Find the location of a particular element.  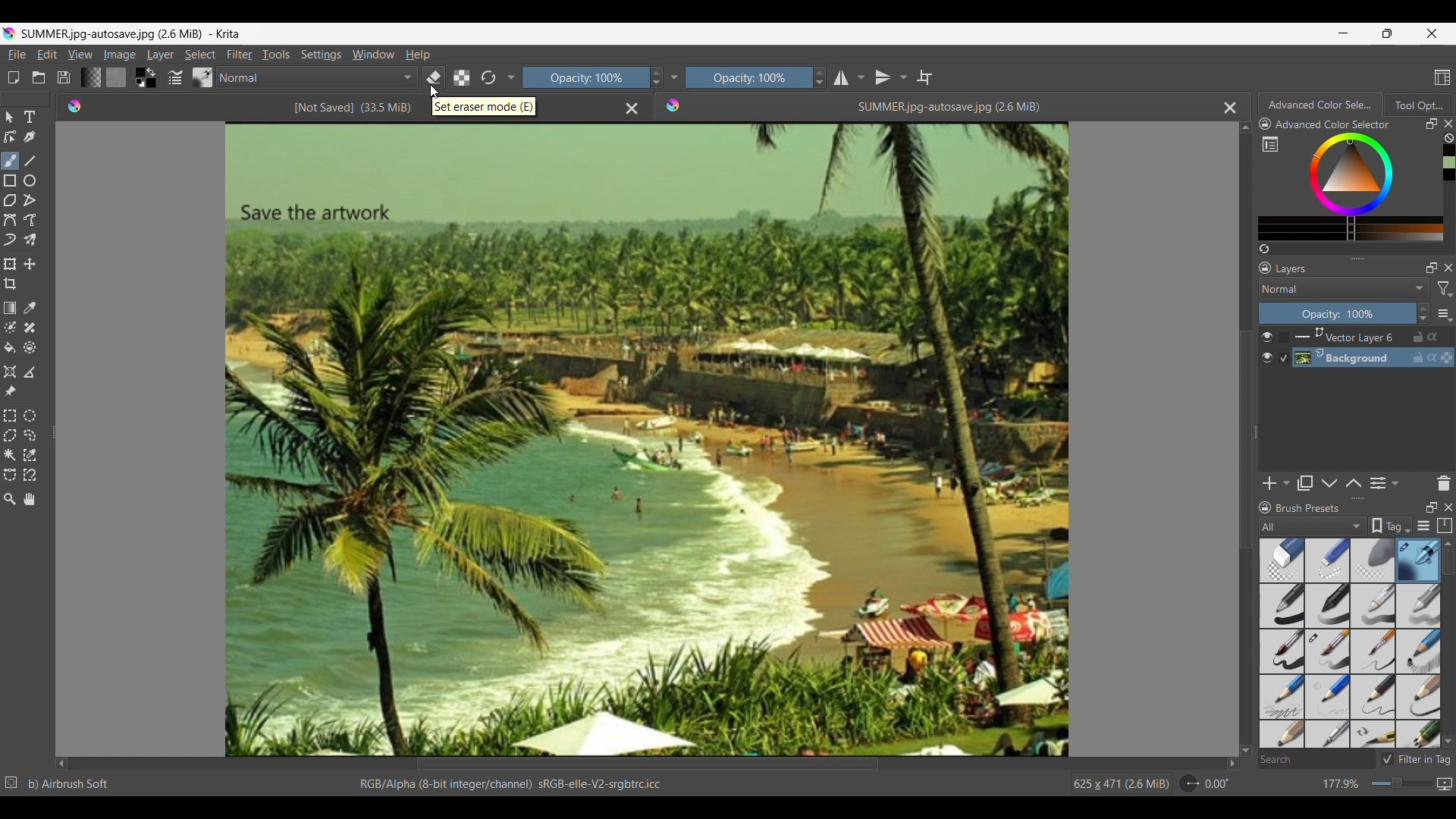

Normal is located at coordinates (317, 77).